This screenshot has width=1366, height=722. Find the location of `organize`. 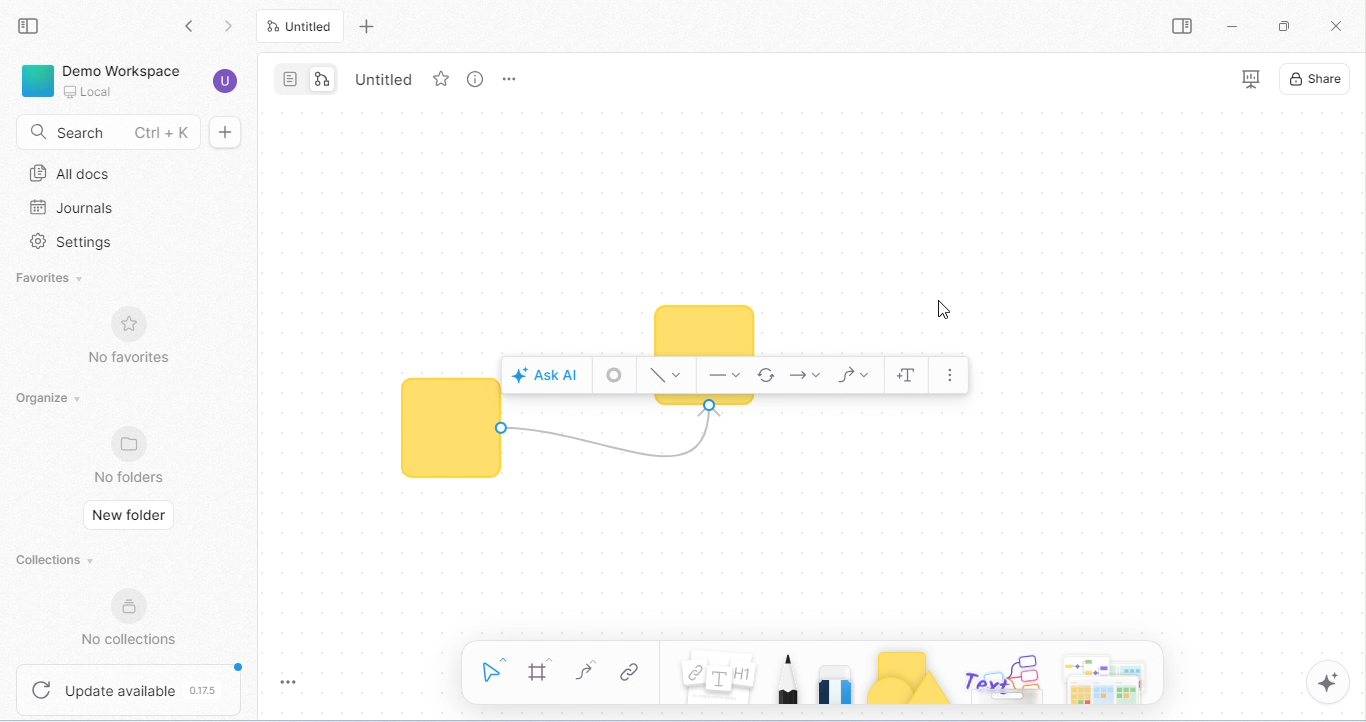

organize is located at coordinates (51, 398).